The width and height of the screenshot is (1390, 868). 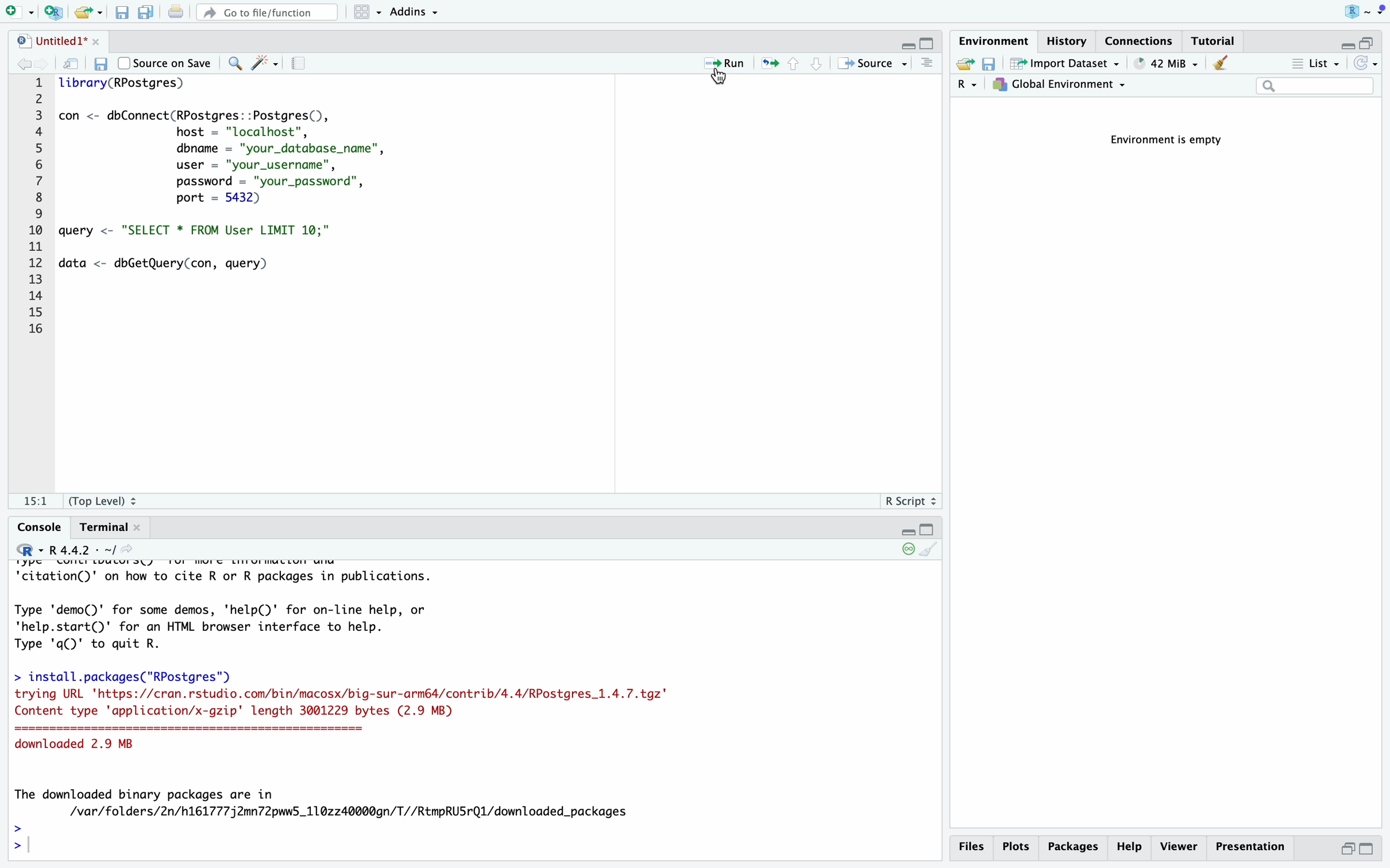 I want to click on connections, so click(x=1142, y=40).